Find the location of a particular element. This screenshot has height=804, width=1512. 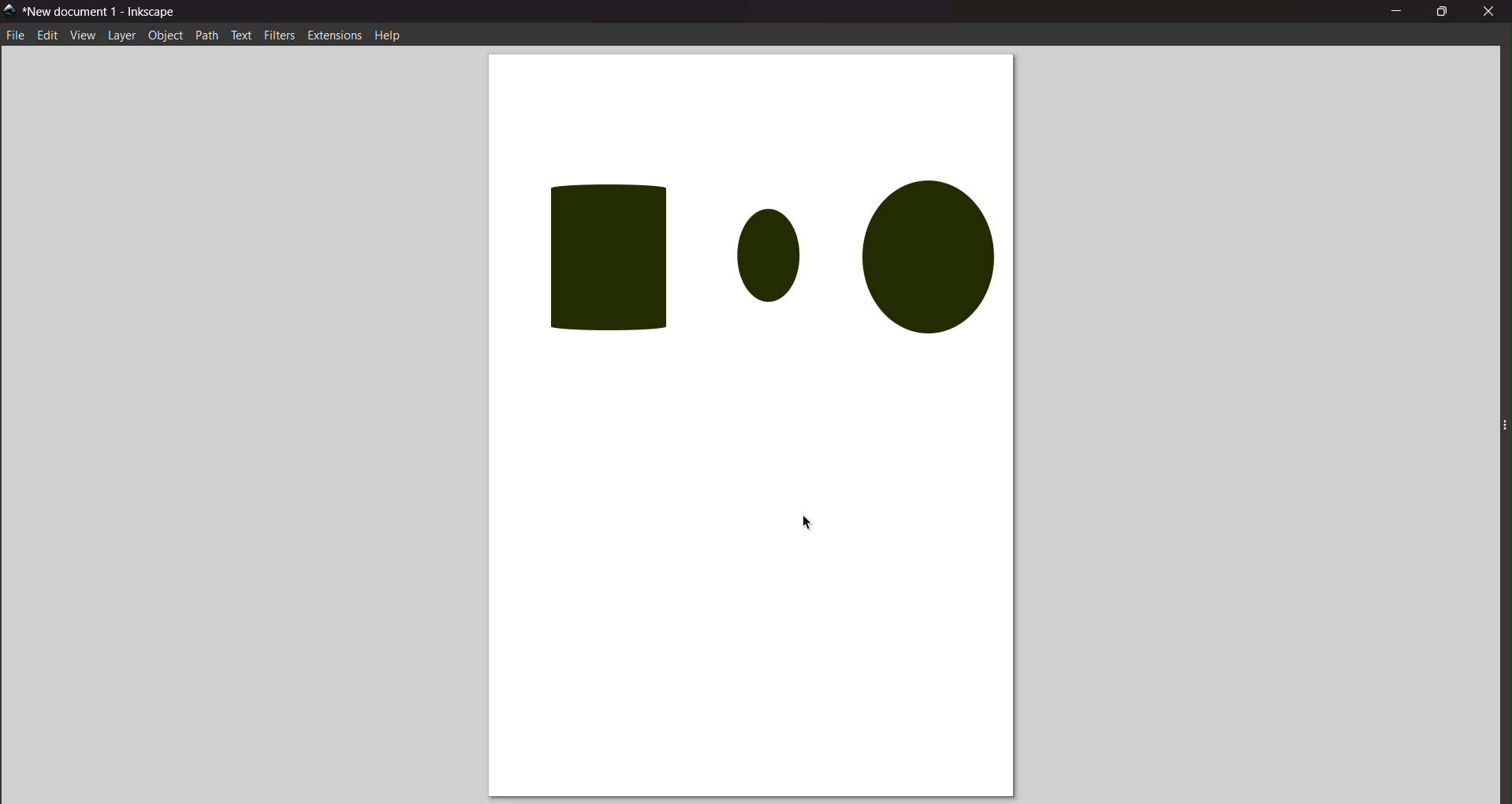

cursor is located at coordinates (811, 527).